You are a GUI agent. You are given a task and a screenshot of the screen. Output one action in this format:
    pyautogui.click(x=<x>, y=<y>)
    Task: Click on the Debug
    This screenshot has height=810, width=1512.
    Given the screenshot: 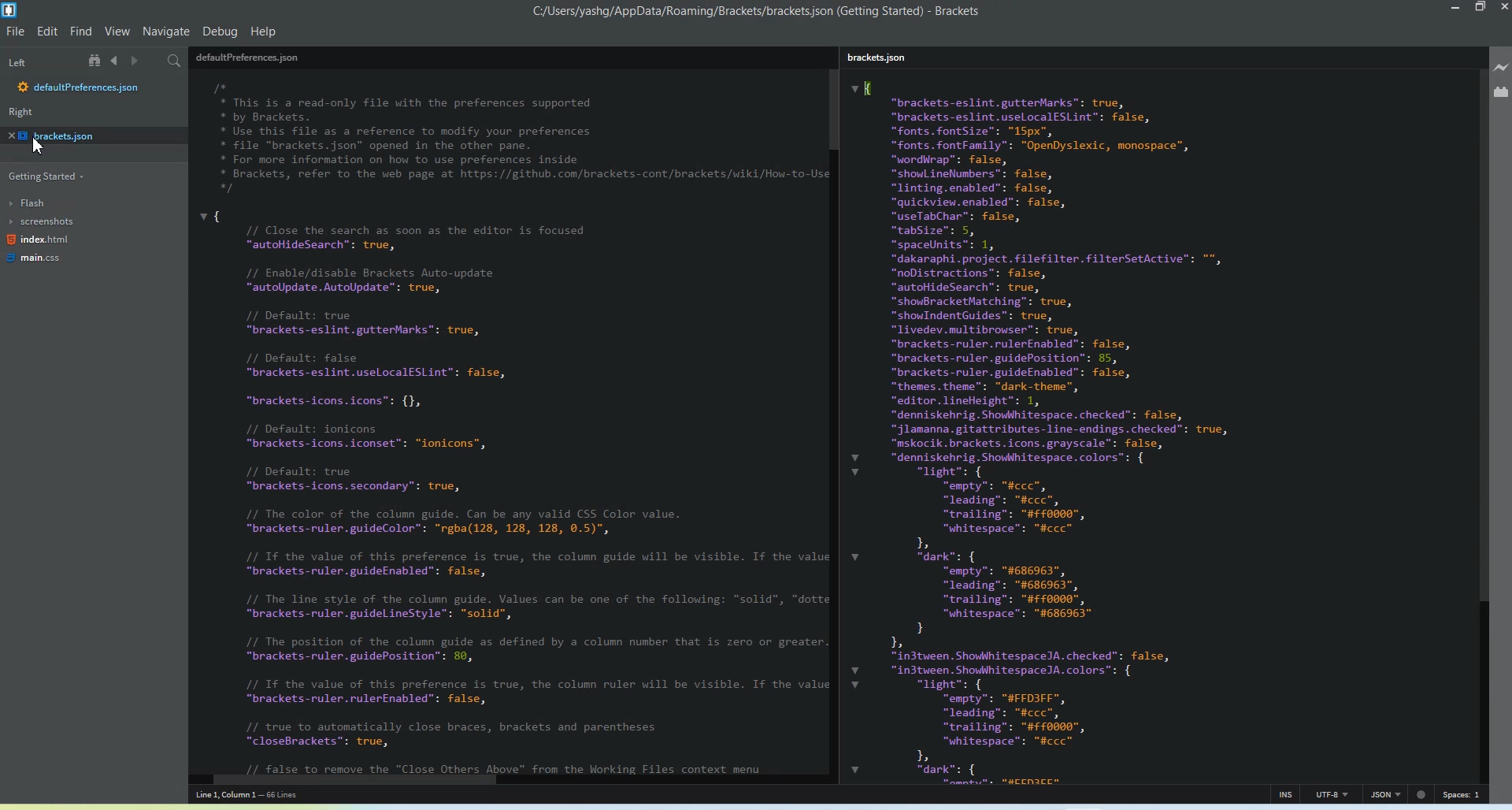 What is the action you would take?
    pyautogui.click(x=220, y=30)
    